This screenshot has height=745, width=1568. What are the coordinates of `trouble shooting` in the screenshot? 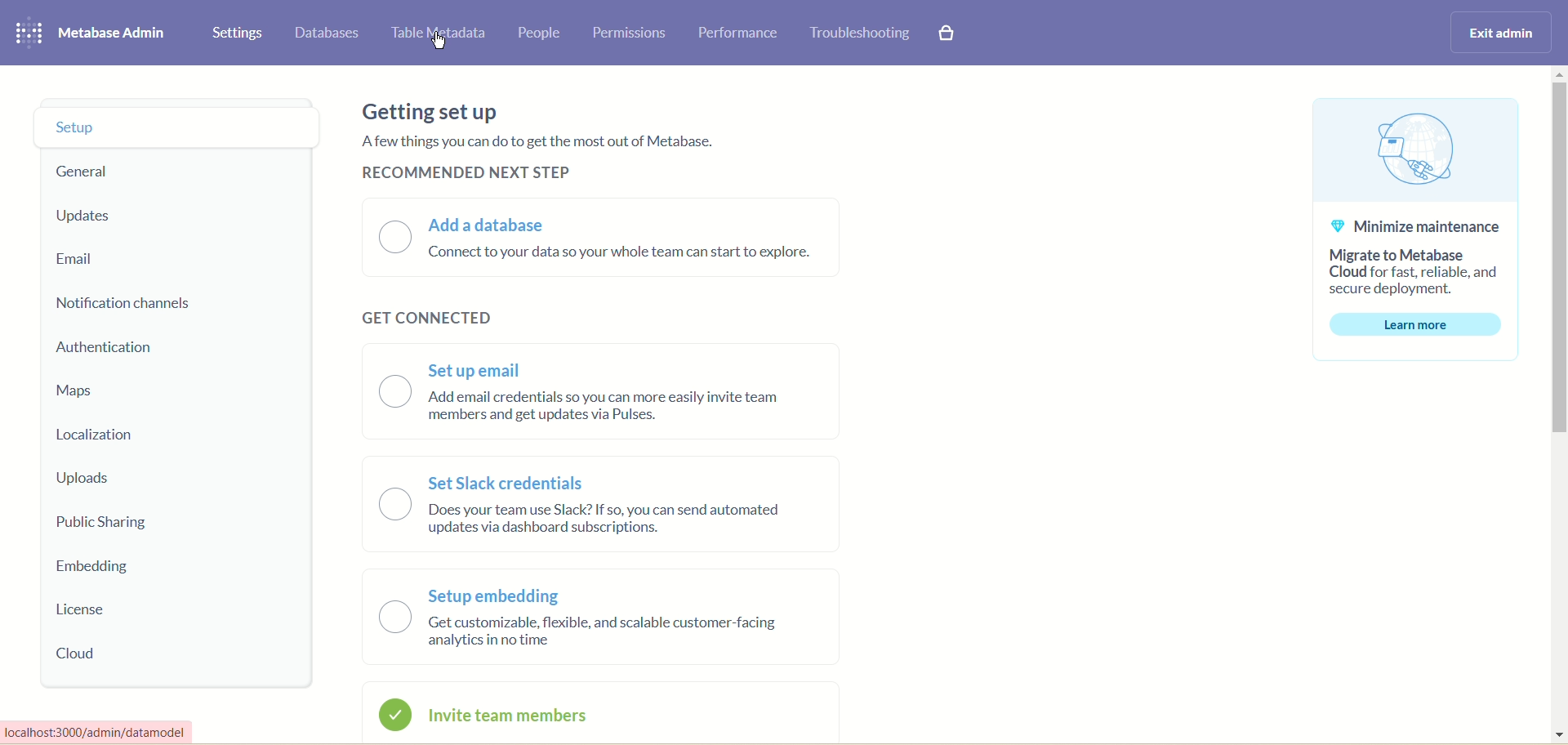 It's located at (858, 33).